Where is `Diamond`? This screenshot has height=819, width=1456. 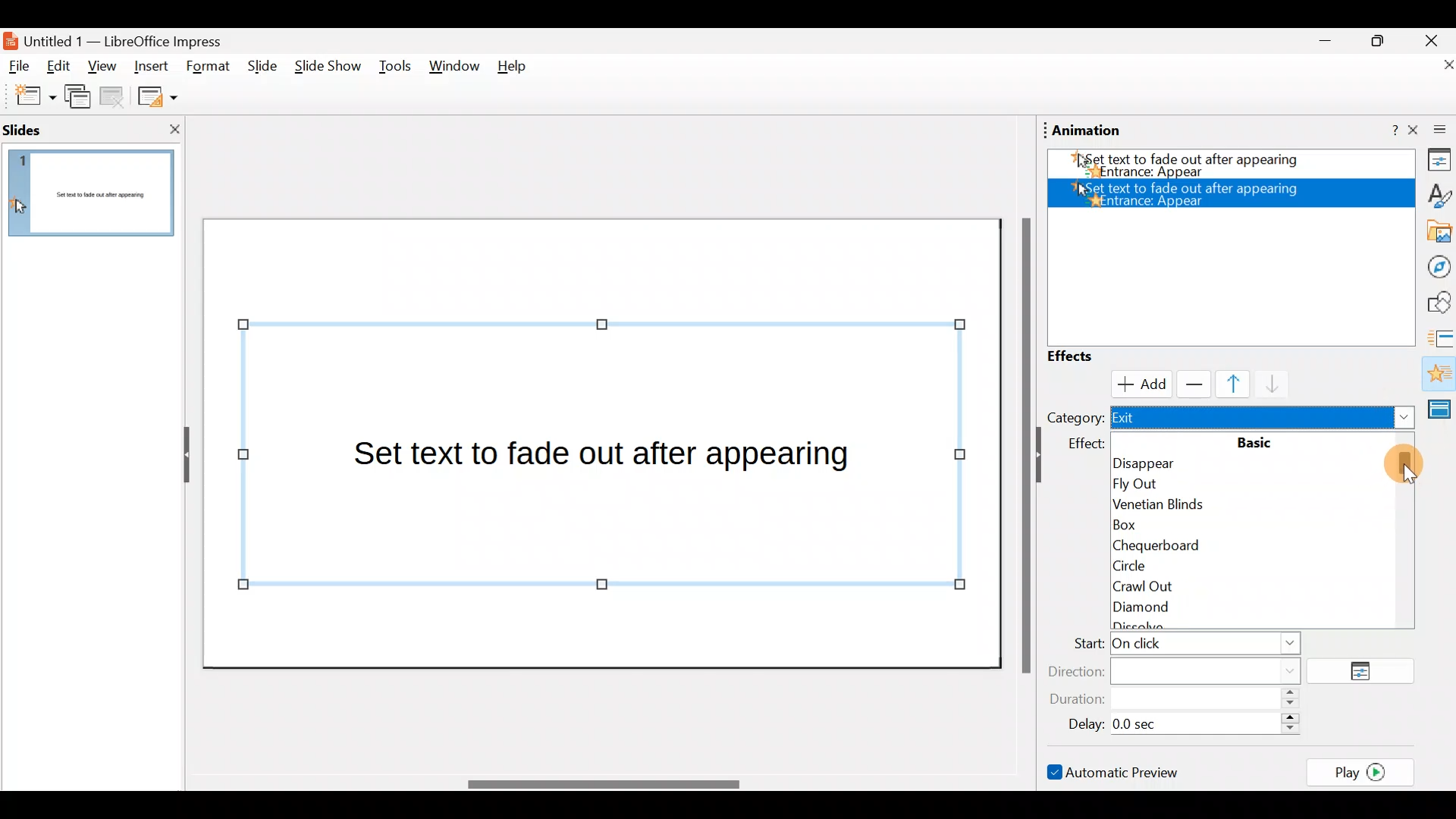 Diamond is located at coordinates (1156, 616).